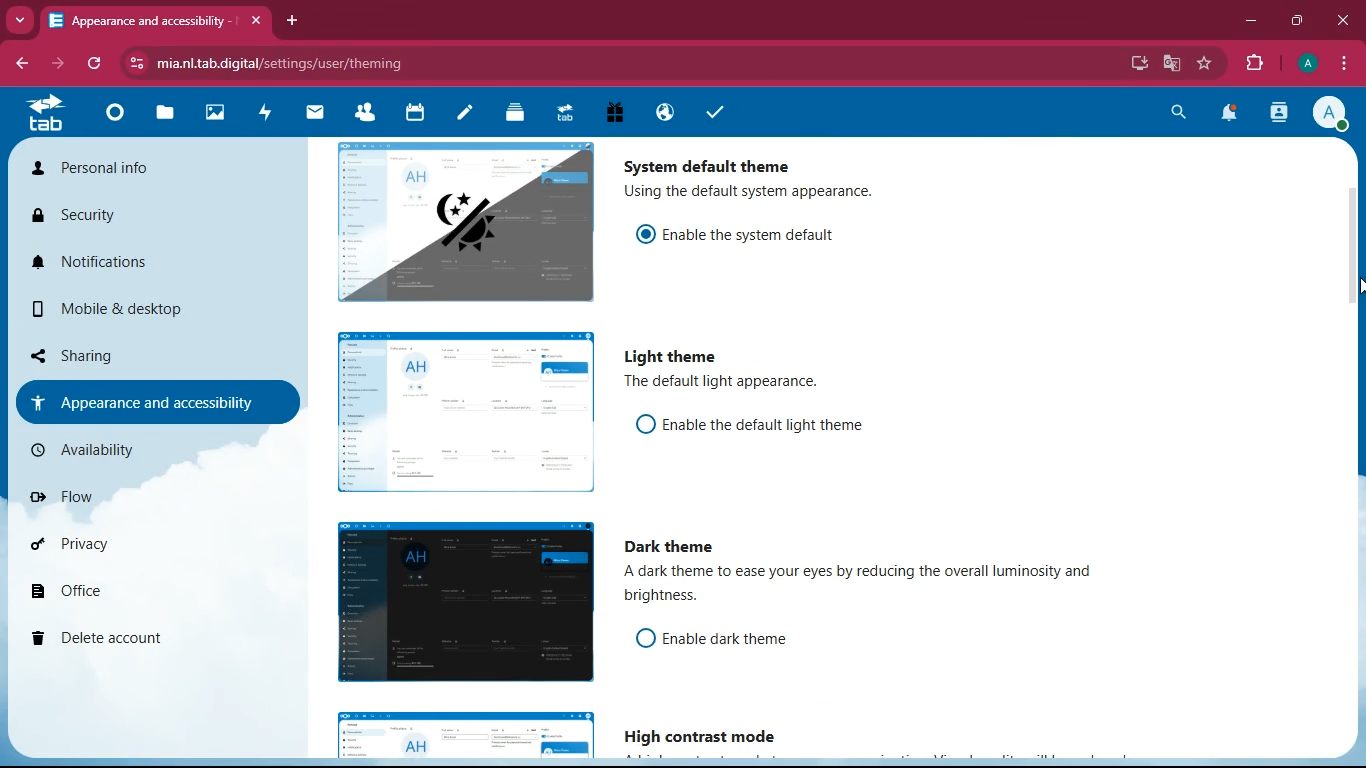 The width and height of the screenshot is (1366, 768). Describe the element at coordinates (1299, 21) in the screenshot. I see `maximize` at that location.